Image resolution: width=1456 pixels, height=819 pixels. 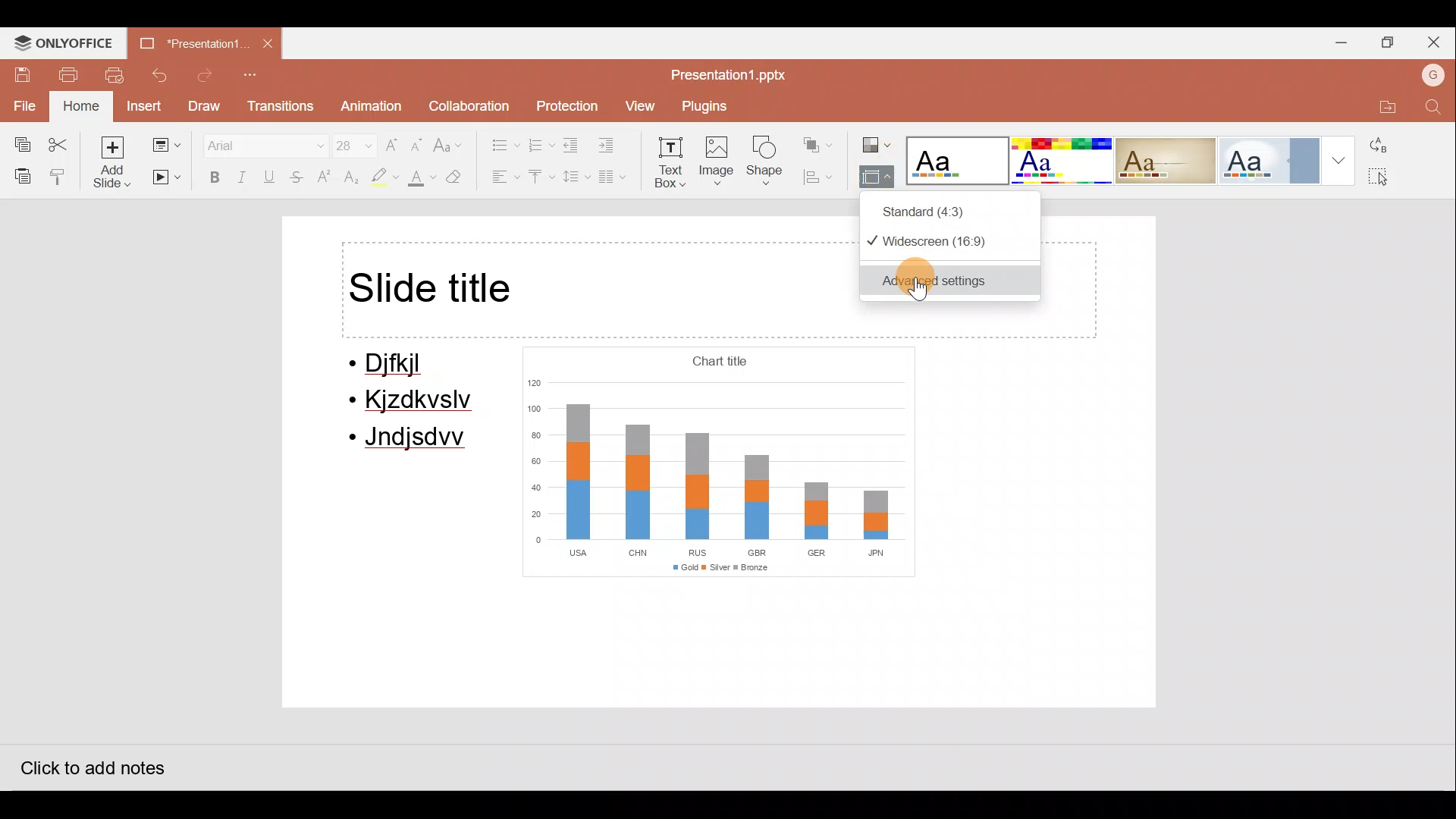 What do you see at coordinates (68, 74) in the screenshot?
I see `Print file` at bounding box center [68, 74].